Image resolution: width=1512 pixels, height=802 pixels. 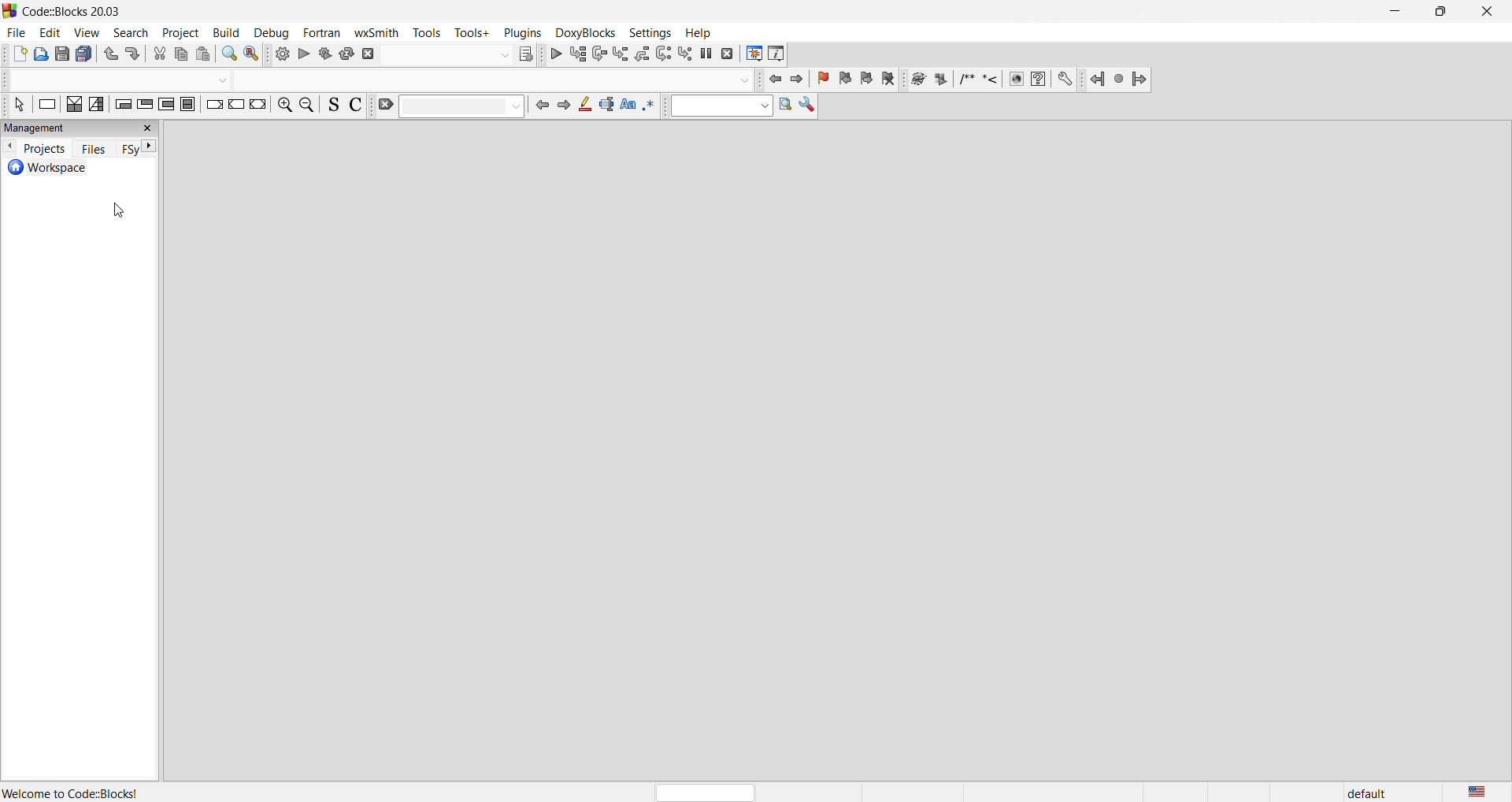 I want to click on step out, so click(x=643, y=54).